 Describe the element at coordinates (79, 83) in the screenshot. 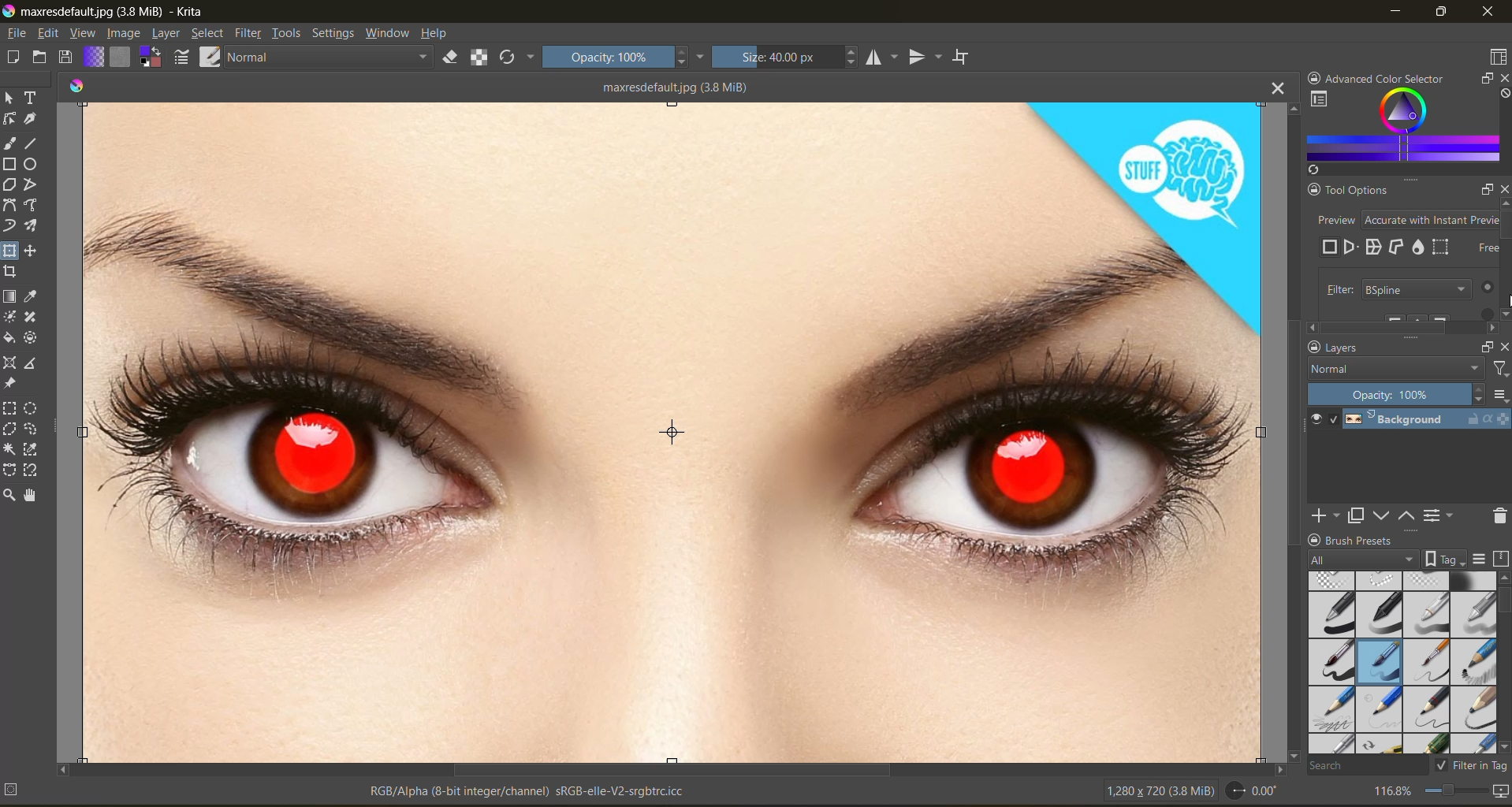

I see `colors` at that location.